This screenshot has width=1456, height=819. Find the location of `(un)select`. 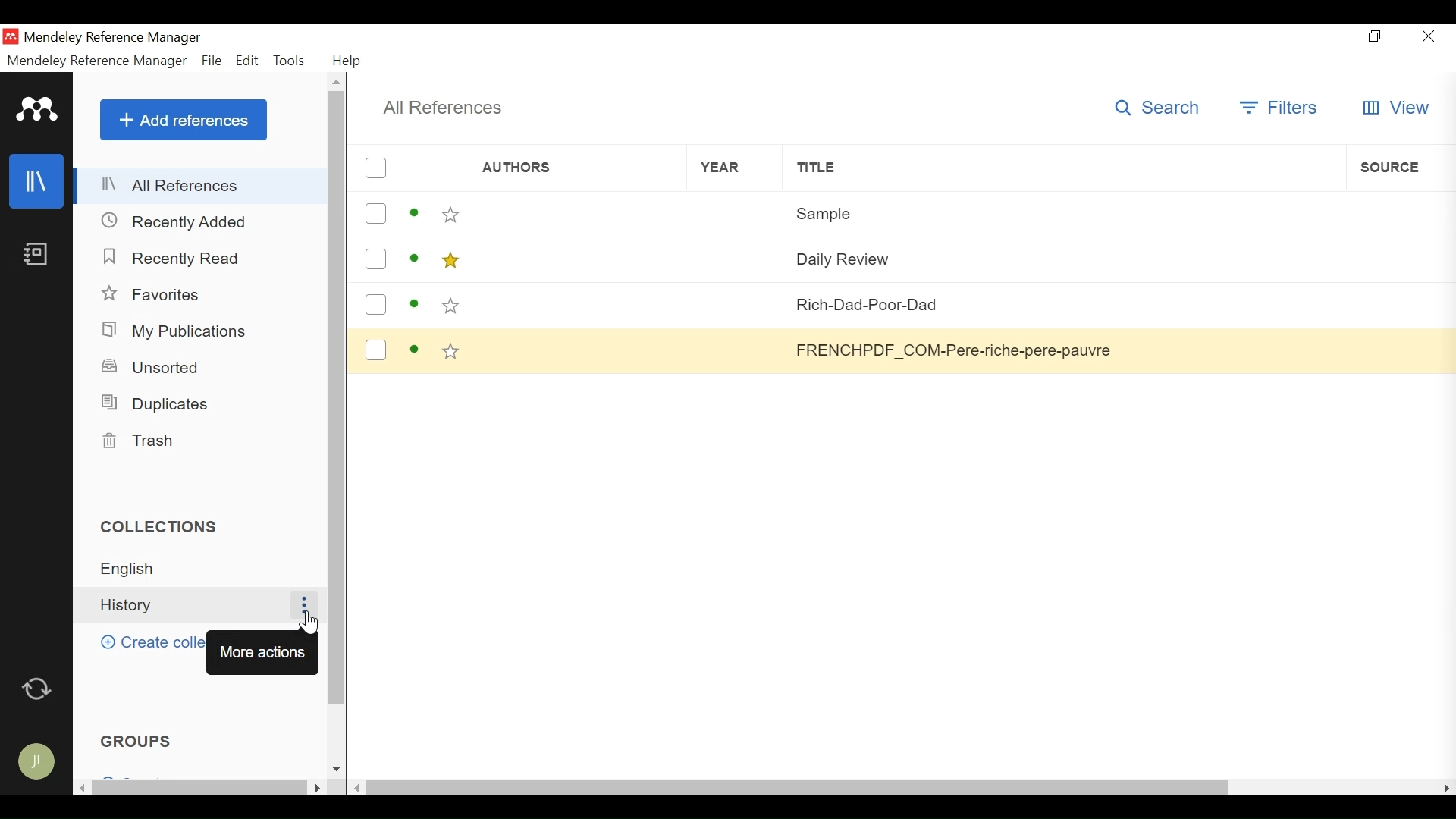

(un)select is located at coordinates (375, 350).